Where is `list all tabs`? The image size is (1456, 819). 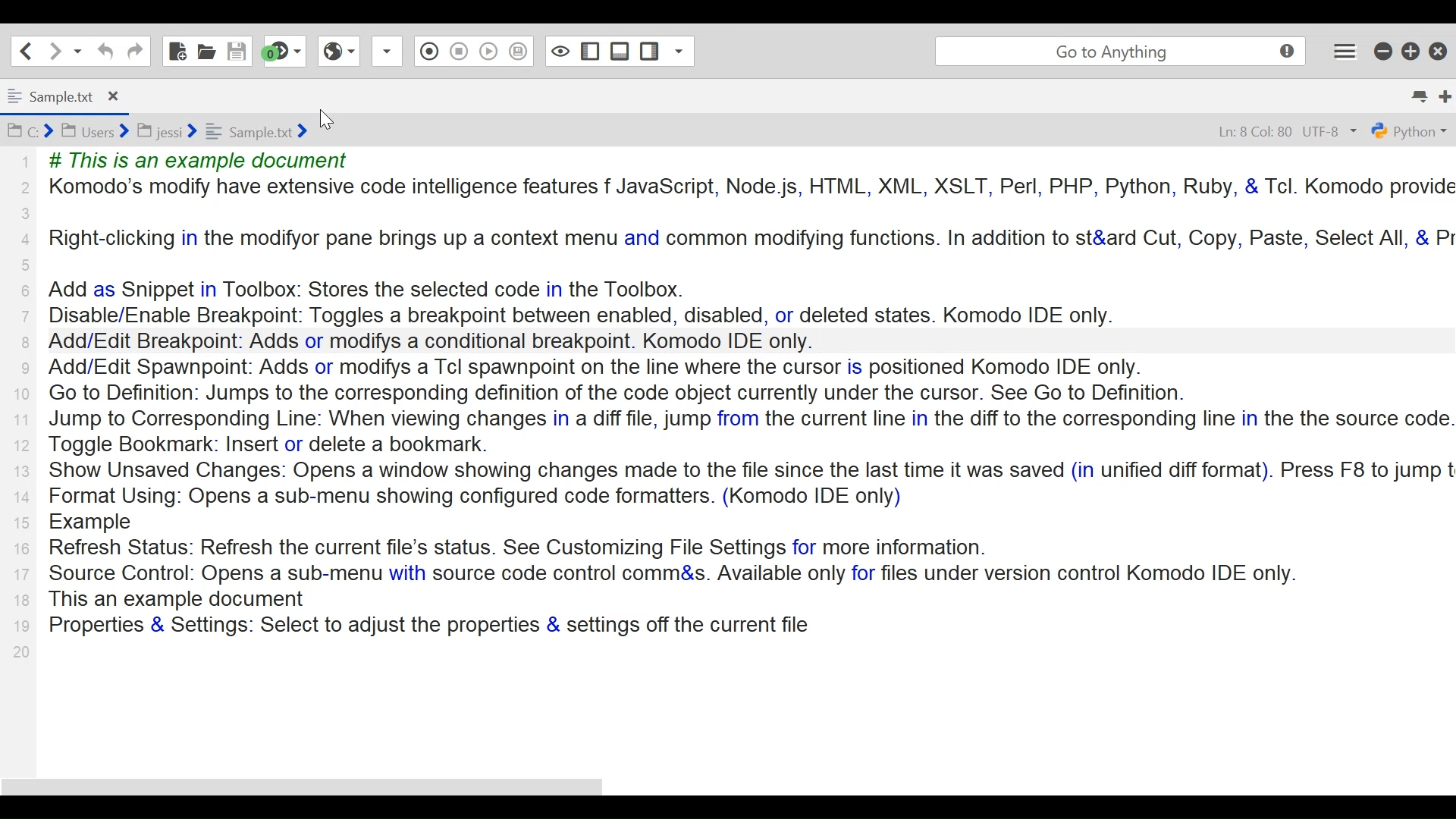 list all tabs is located at coordinates (1421, 93).